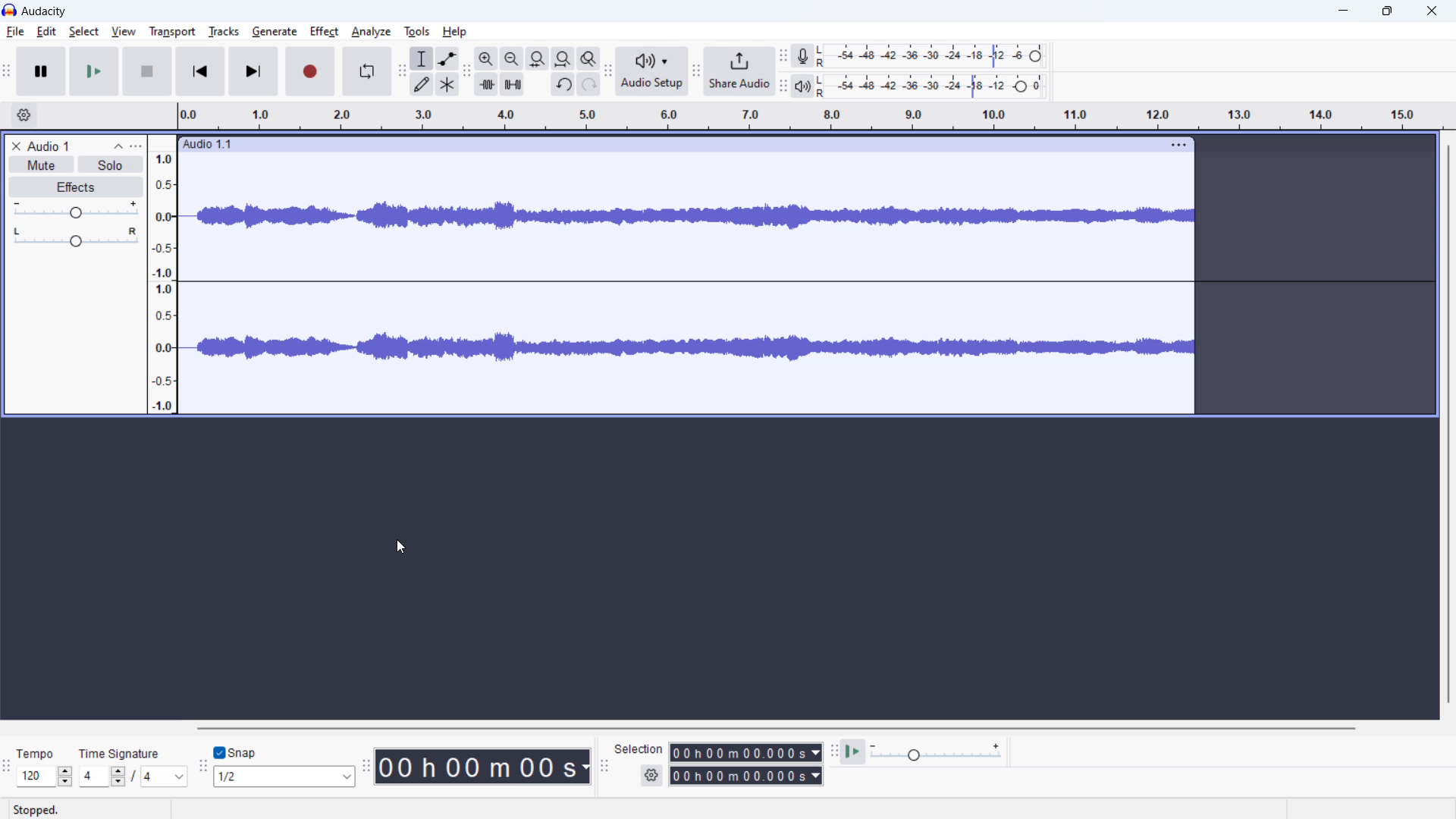 The width and height of the screenshot is (1456, 819). I want to click on settings, so click(651, 775).